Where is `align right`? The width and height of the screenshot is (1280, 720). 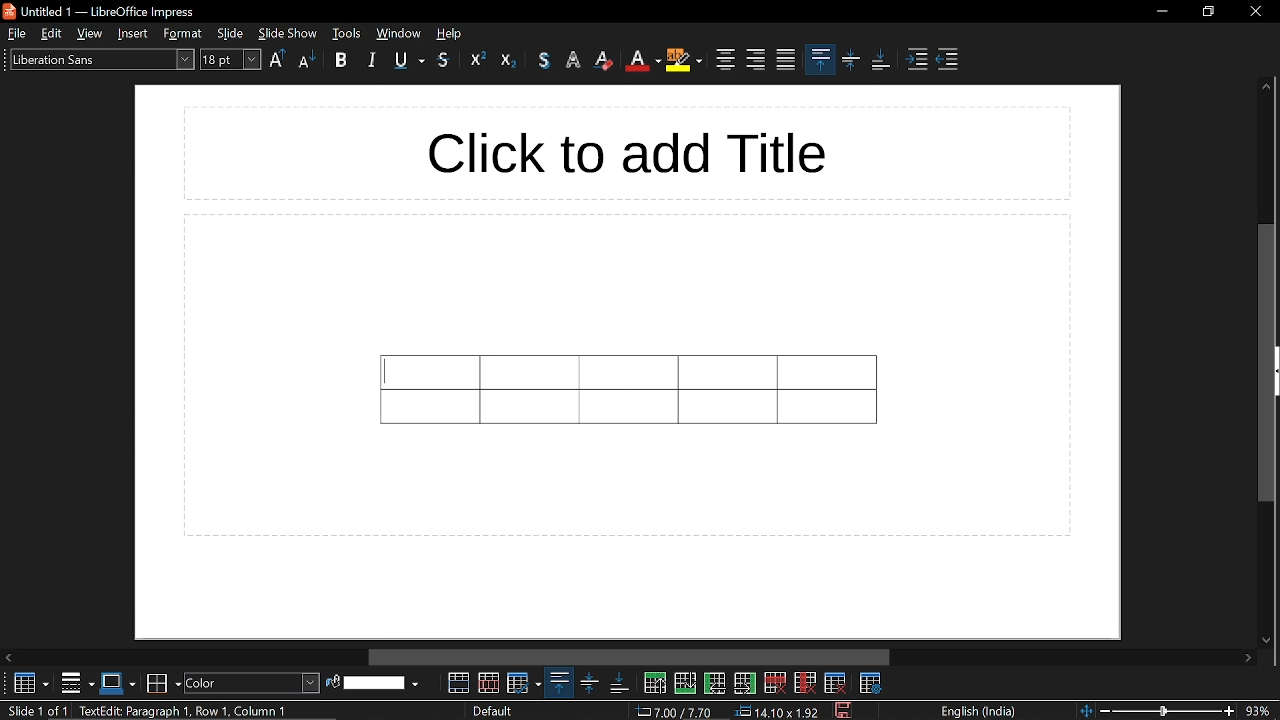
align right is located at coordinates (754, 59).